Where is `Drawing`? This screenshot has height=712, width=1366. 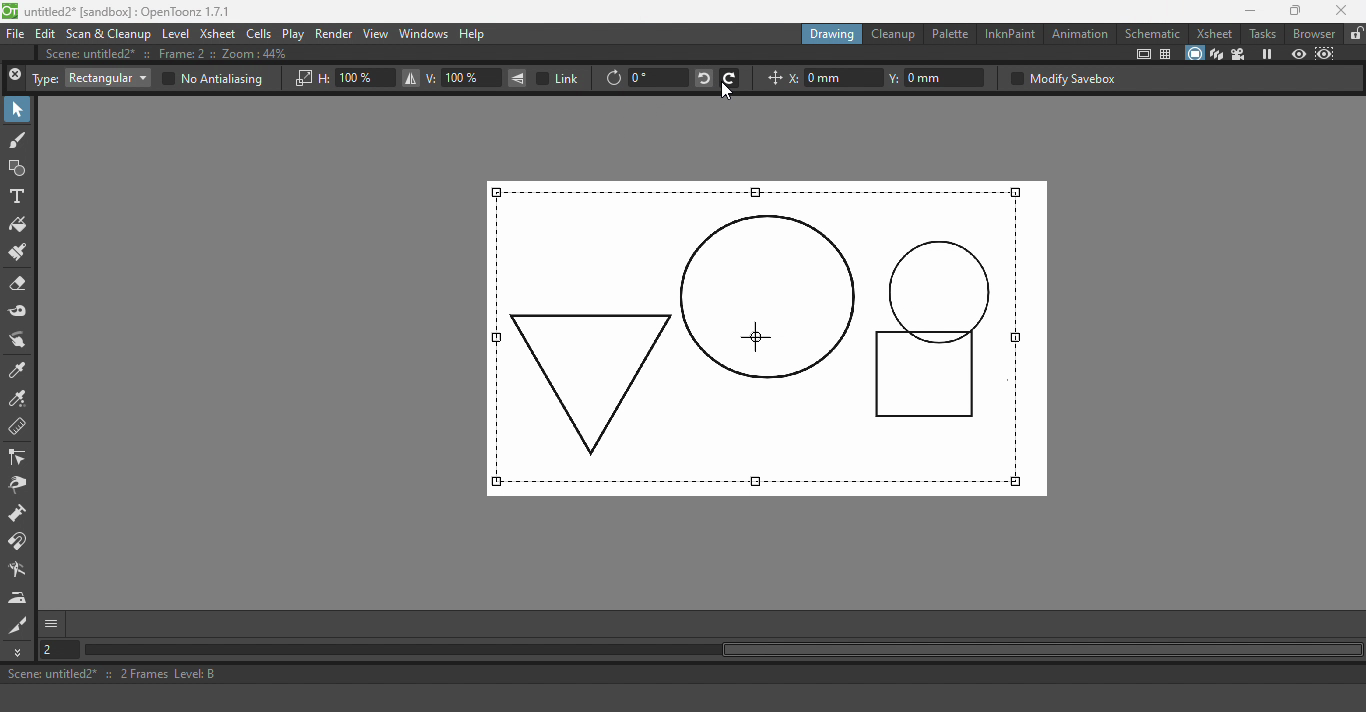
Drawing is located at coordinates (832, 33).